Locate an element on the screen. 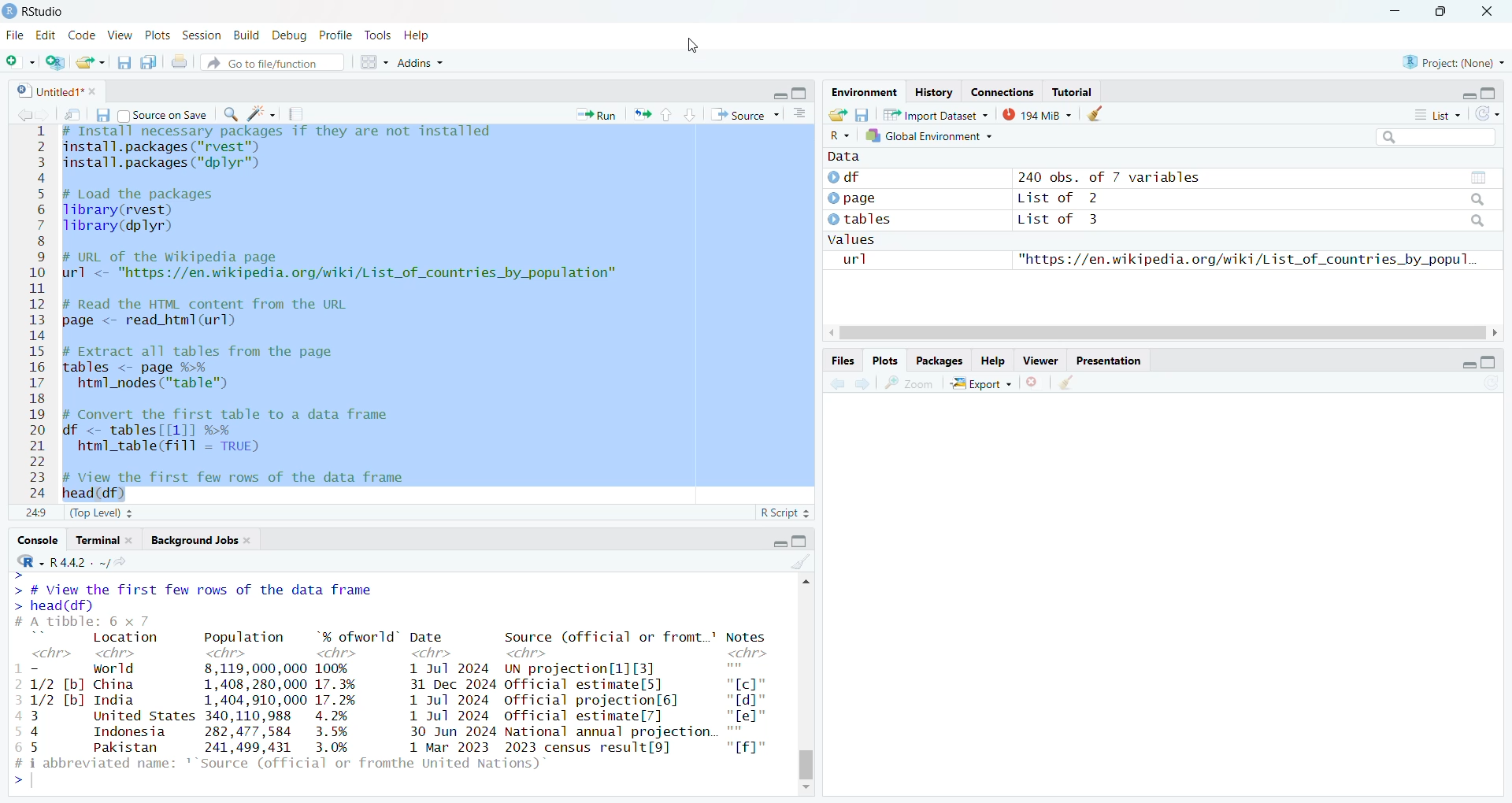 Image resolution: width=1512 pixels, height=803 pixels. Project(None) is located at coordinates (1455, 63).